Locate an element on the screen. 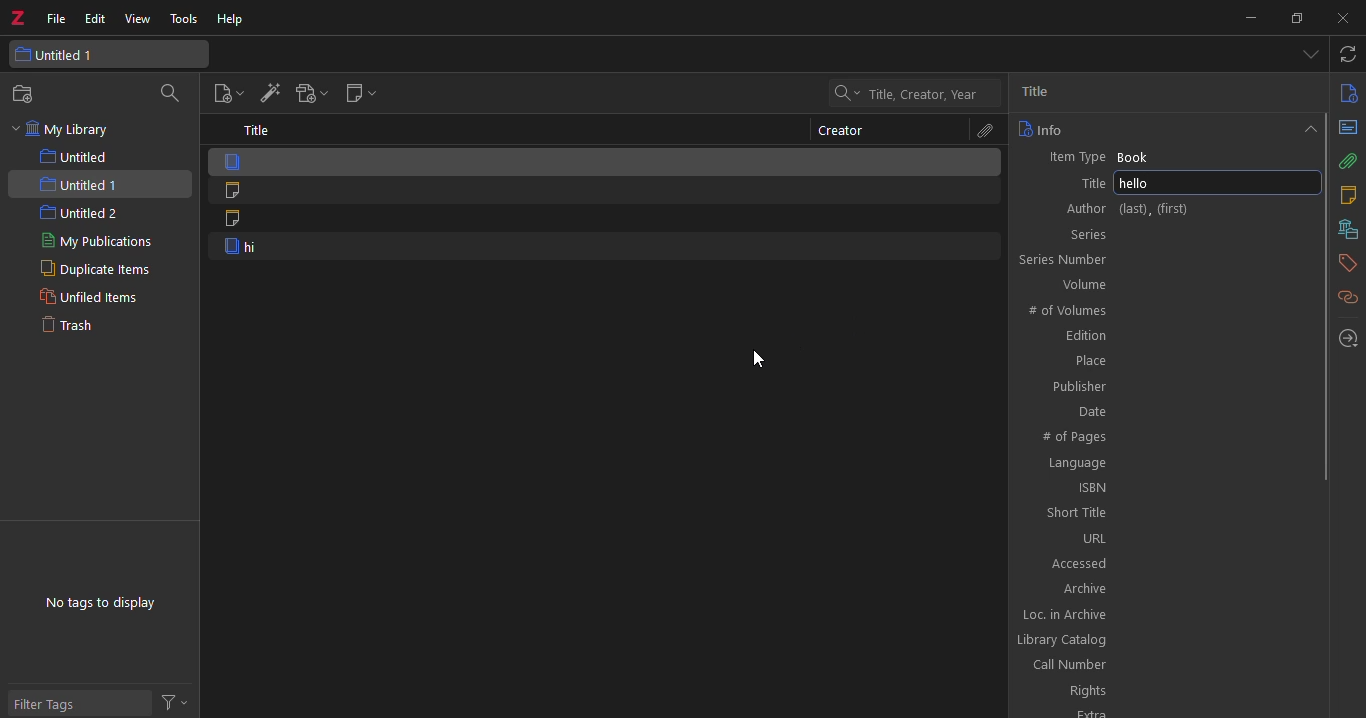  my library is located at coordinates (64, 130).